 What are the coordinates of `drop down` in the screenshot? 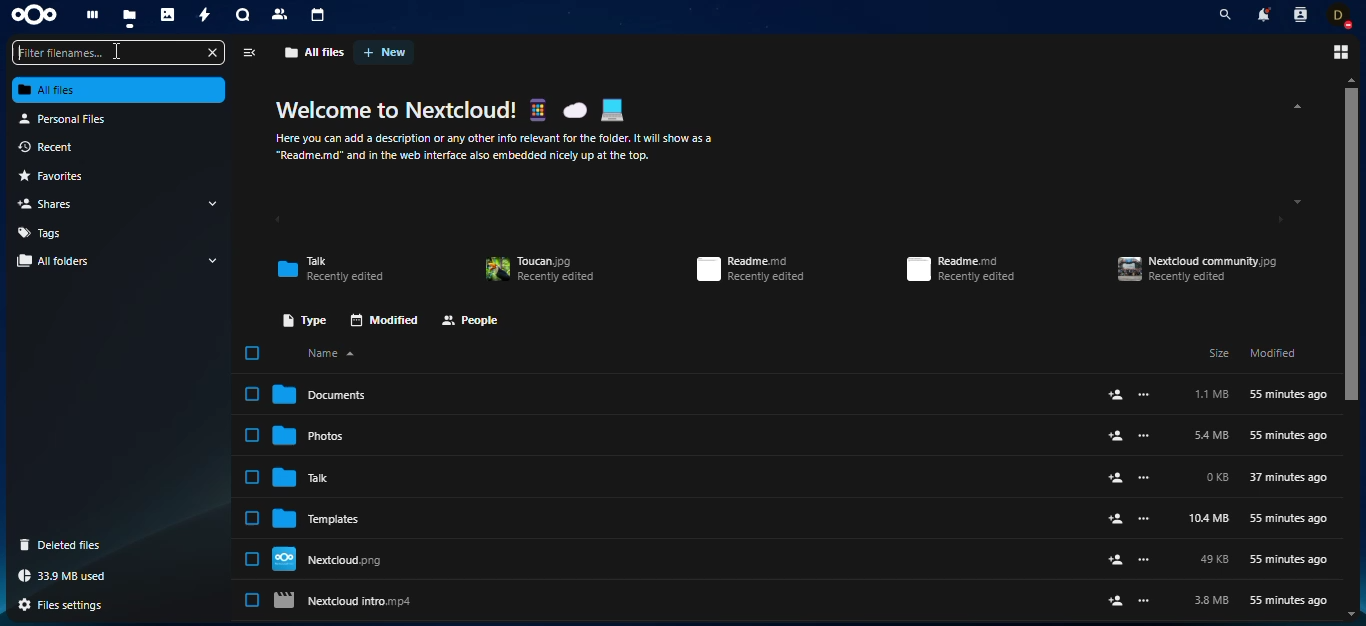 It's located at (214, 260).